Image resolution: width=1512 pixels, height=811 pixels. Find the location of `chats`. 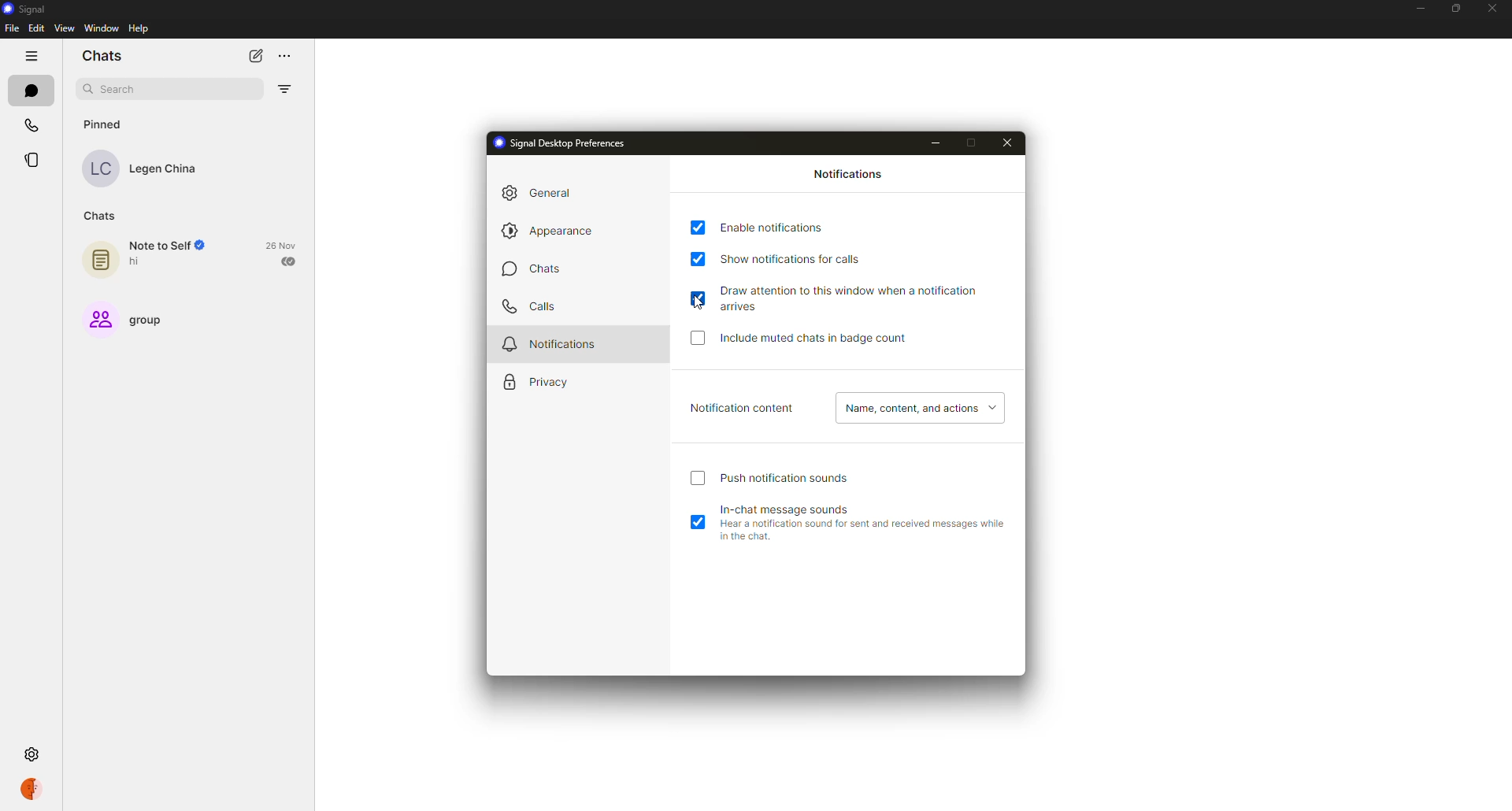

chats is located at coordinates (101, 57).